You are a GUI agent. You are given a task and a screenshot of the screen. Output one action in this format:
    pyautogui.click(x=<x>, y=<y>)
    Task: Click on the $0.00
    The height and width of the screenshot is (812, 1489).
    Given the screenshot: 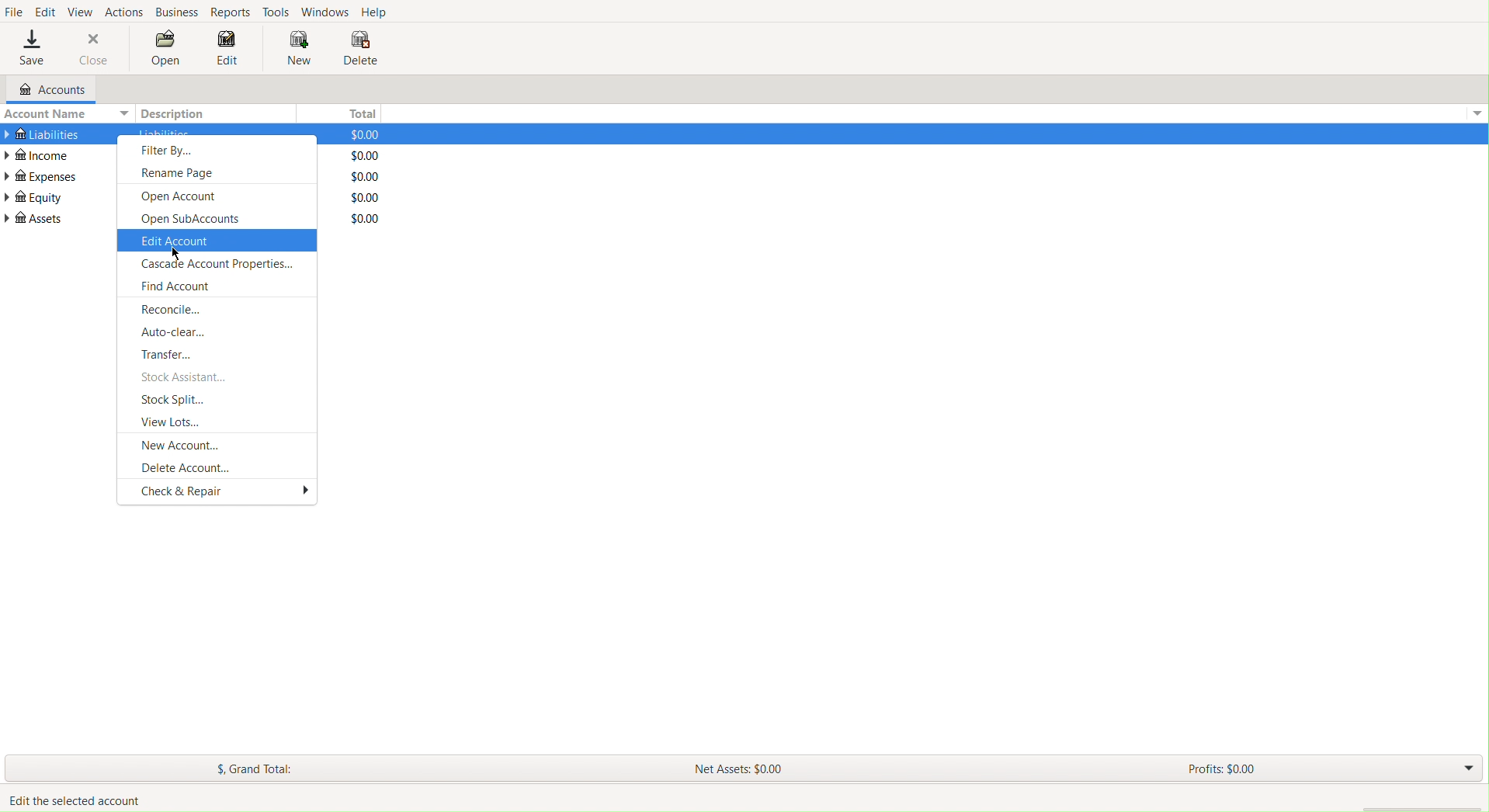 What is the action you would take?
    pyautogui.click(x=358, y=218)
    